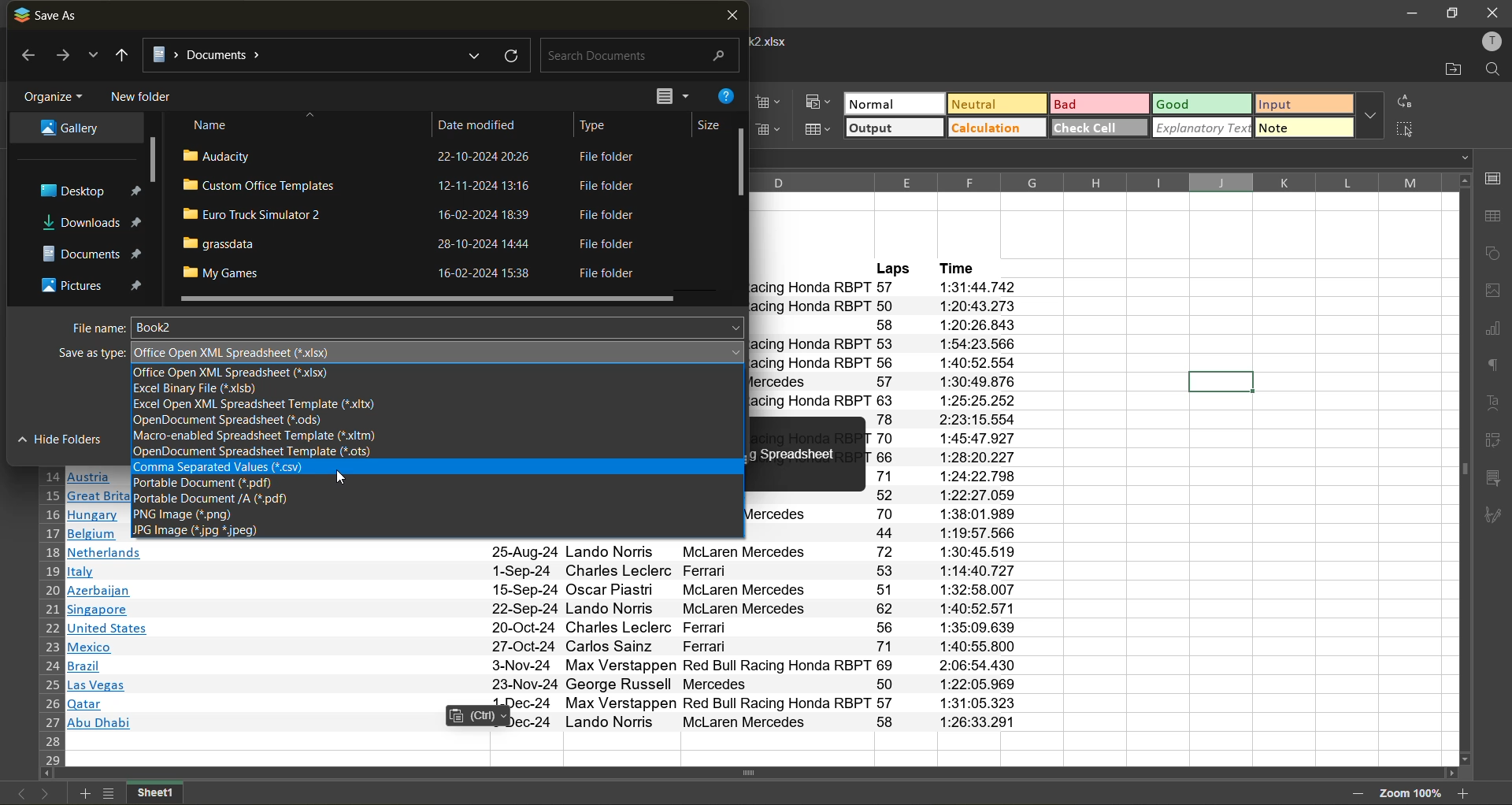 This screenshot has width=1512, height=805. I want to click on vertical scroll bar, so click(742, 163).